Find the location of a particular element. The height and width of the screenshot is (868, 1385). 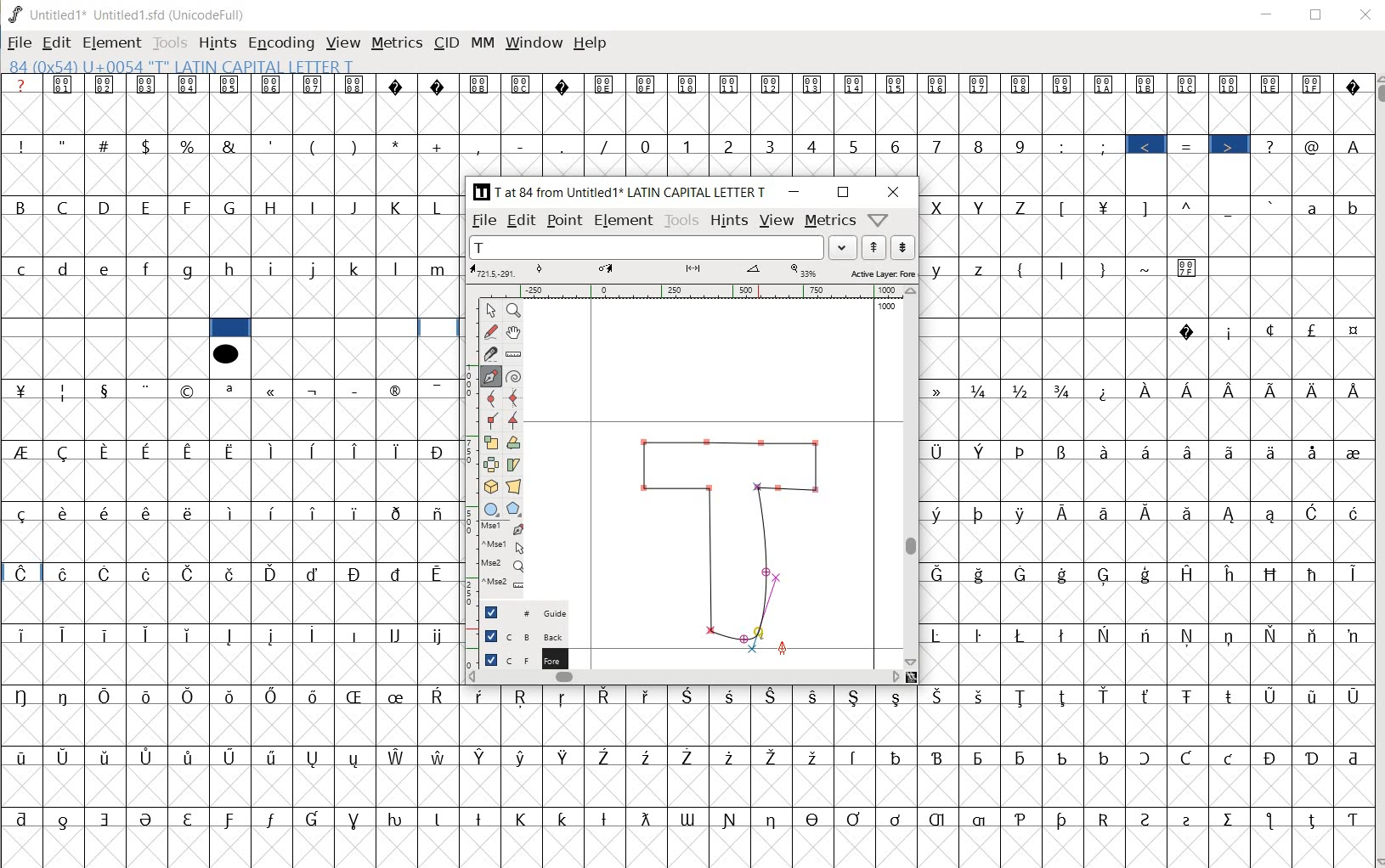

previous word is located at coordinates (877, 248).